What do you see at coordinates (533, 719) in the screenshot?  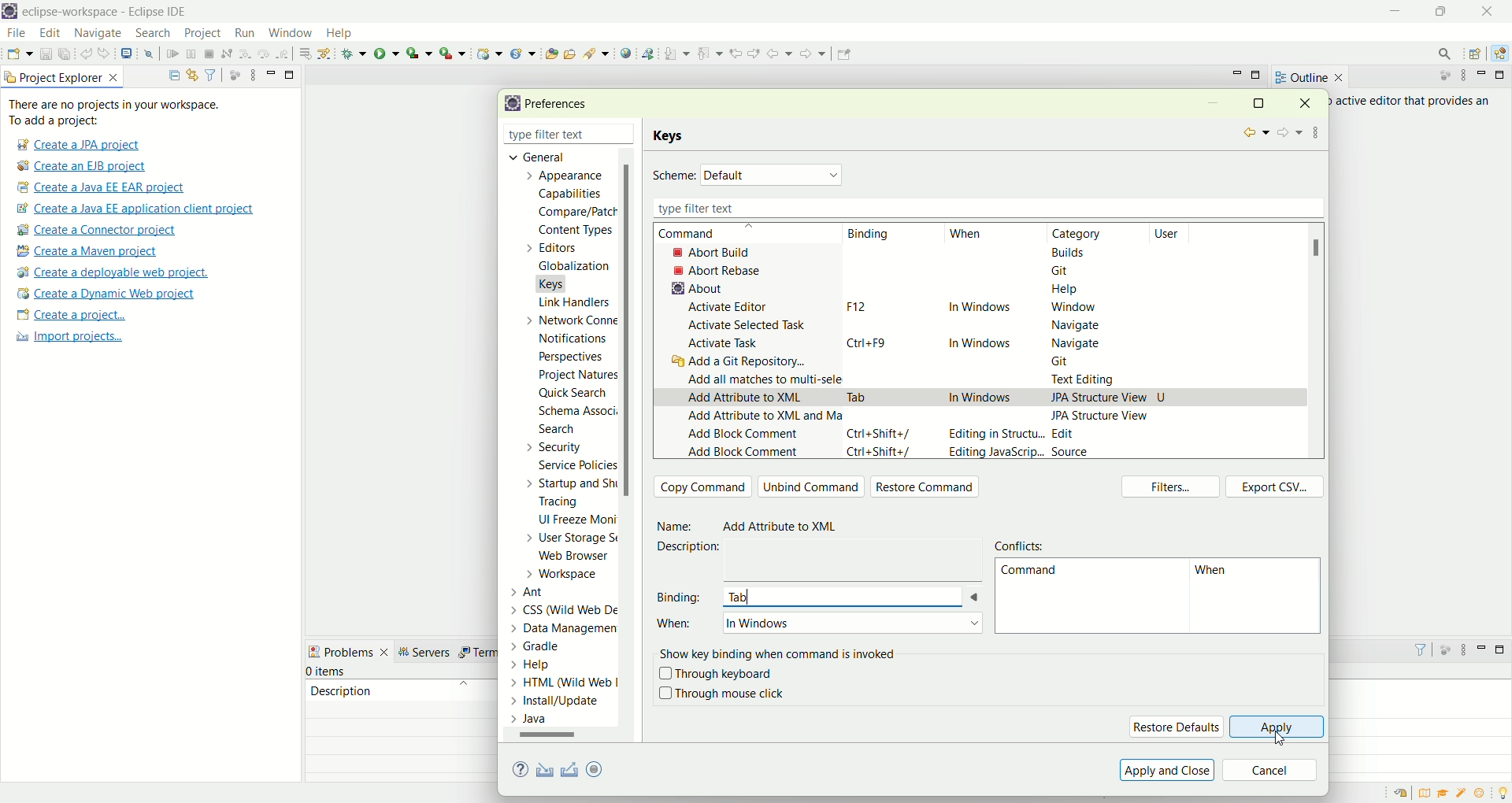 I see `Java` at bounding box center [533, 719].